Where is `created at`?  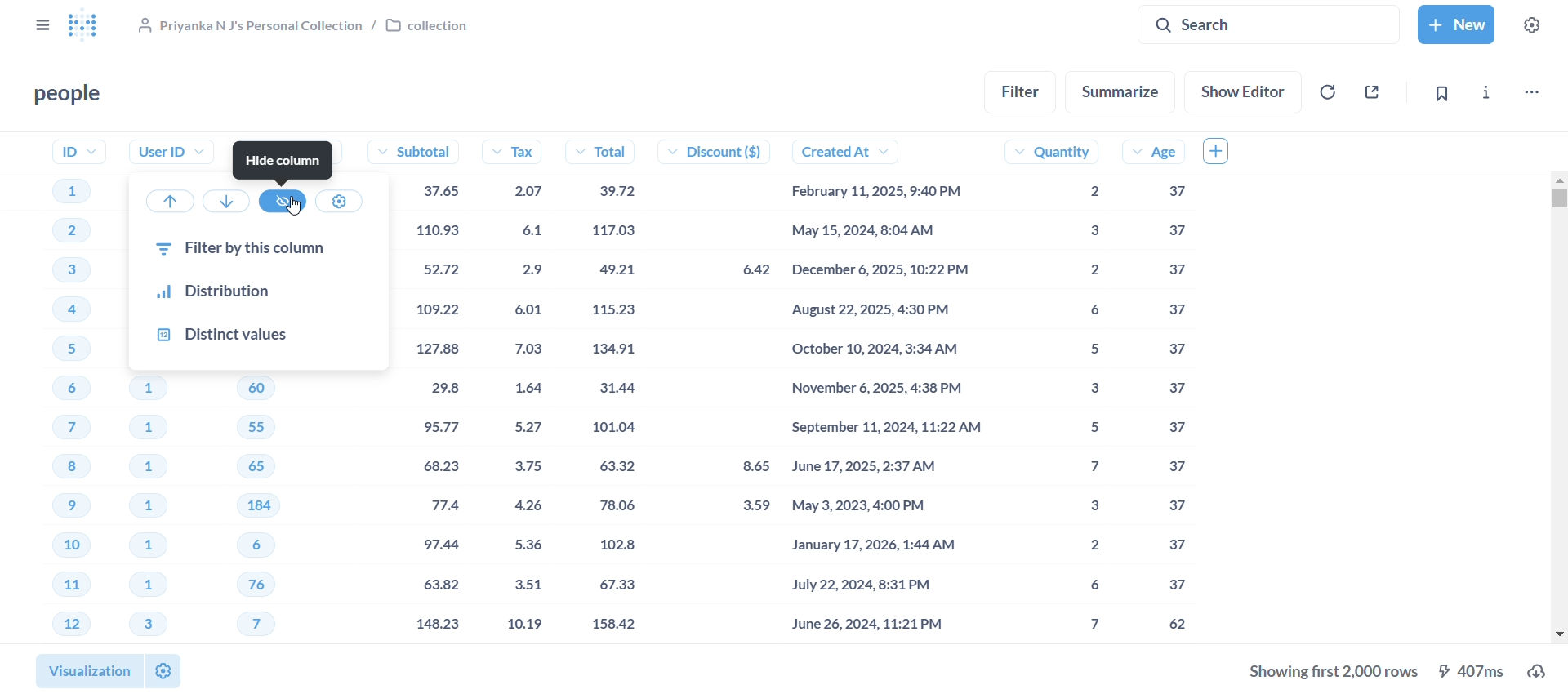 created at is located at coordinates (898, 389).